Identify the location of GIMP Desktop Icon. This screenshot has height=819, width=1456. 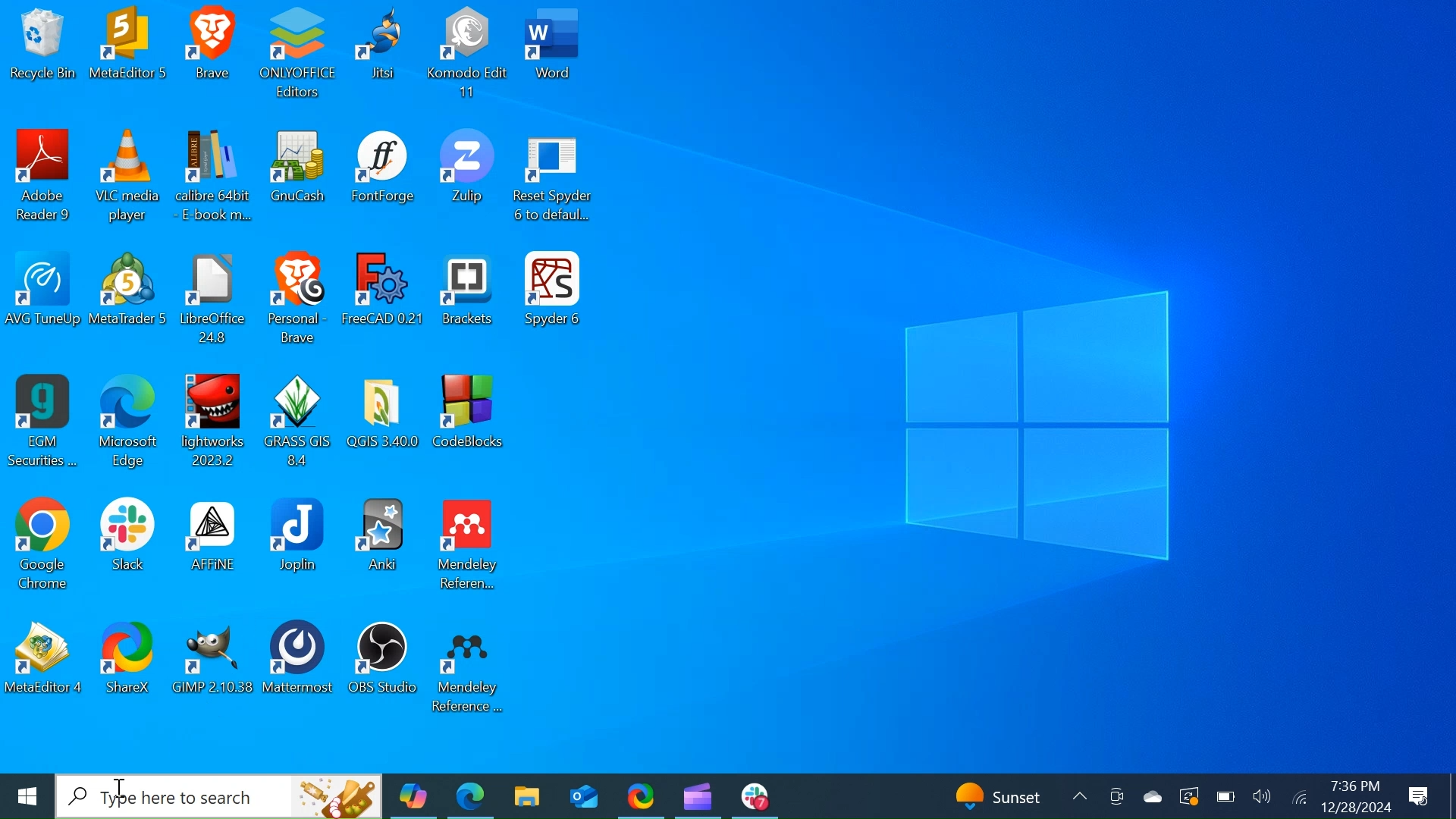
(213, 669).